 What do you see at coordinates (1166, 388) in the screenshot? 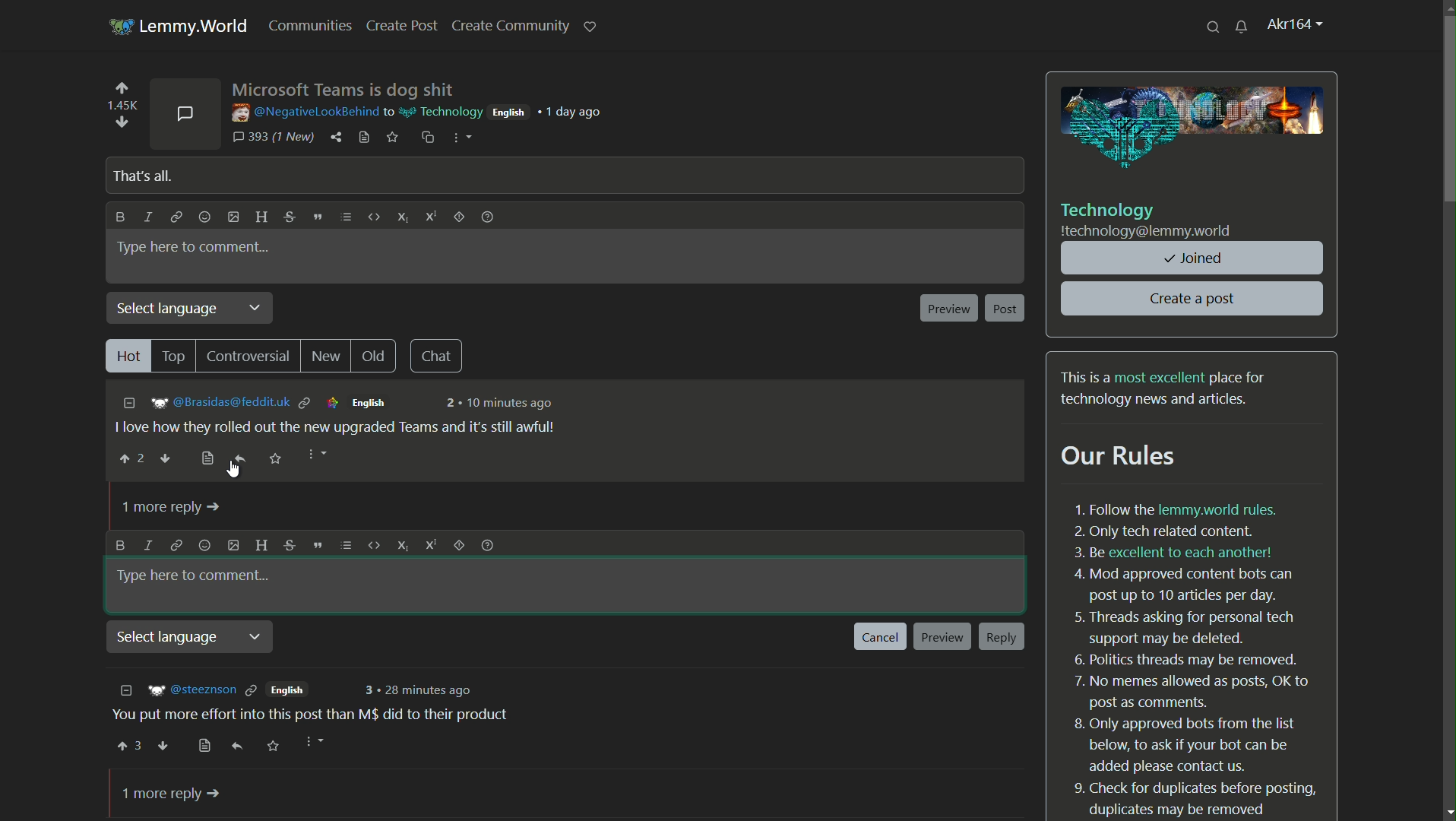
I see `text` at bounding box center [1166, 388].